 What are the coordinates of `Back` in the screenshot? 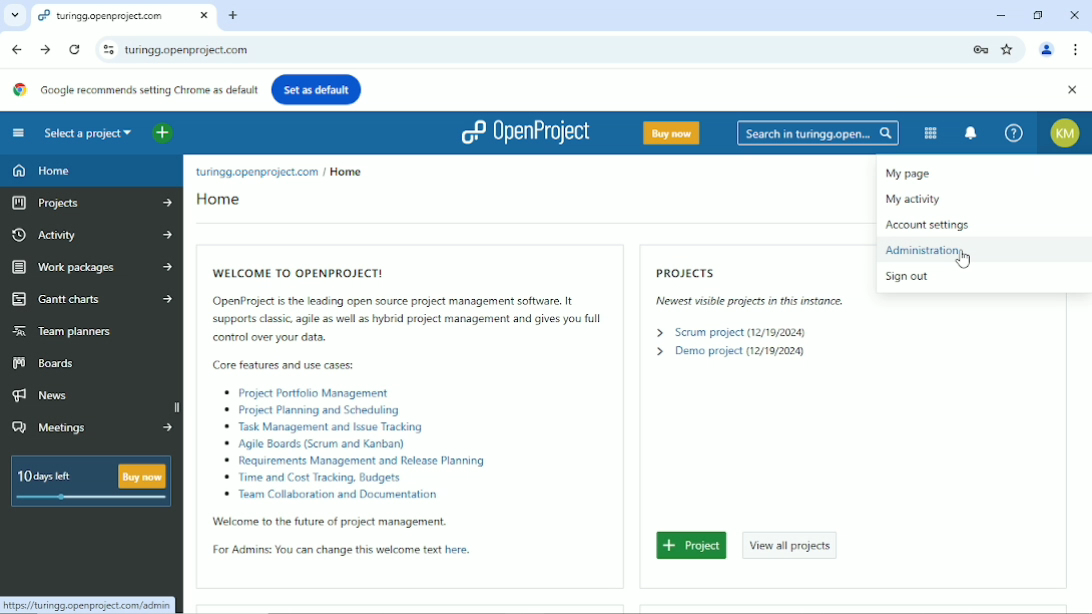 It's located at (17, 48).